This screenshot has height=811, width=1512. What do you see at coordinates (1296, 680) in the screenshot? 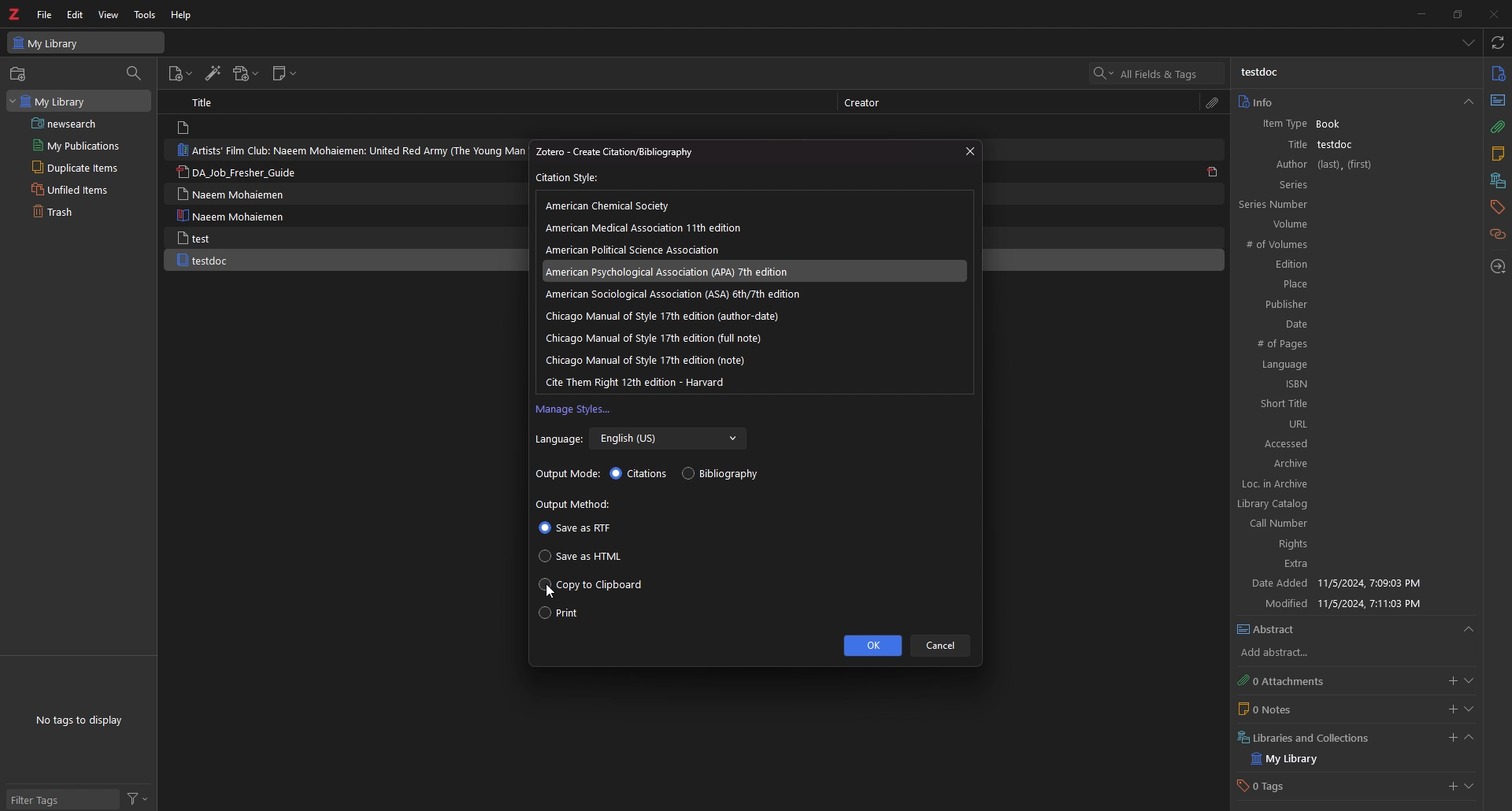
I see `0 Attachments` at bounding box center [1296, 680].